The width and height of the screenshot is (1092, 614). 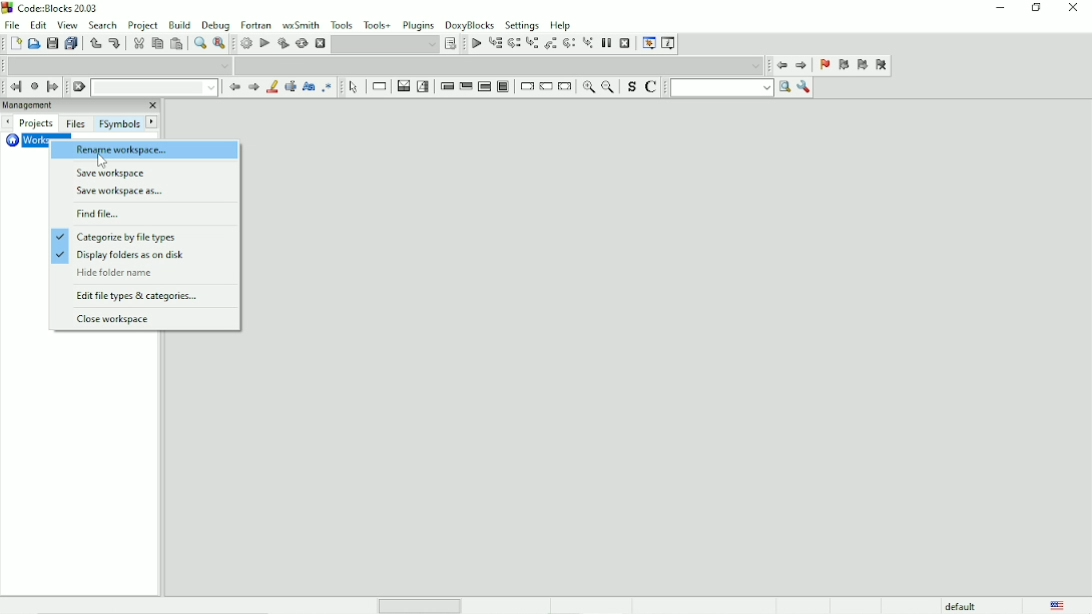 What do you see at coordinates (144, 25) in the screenshot?
I see `Project` at bounding box center [144, 25].